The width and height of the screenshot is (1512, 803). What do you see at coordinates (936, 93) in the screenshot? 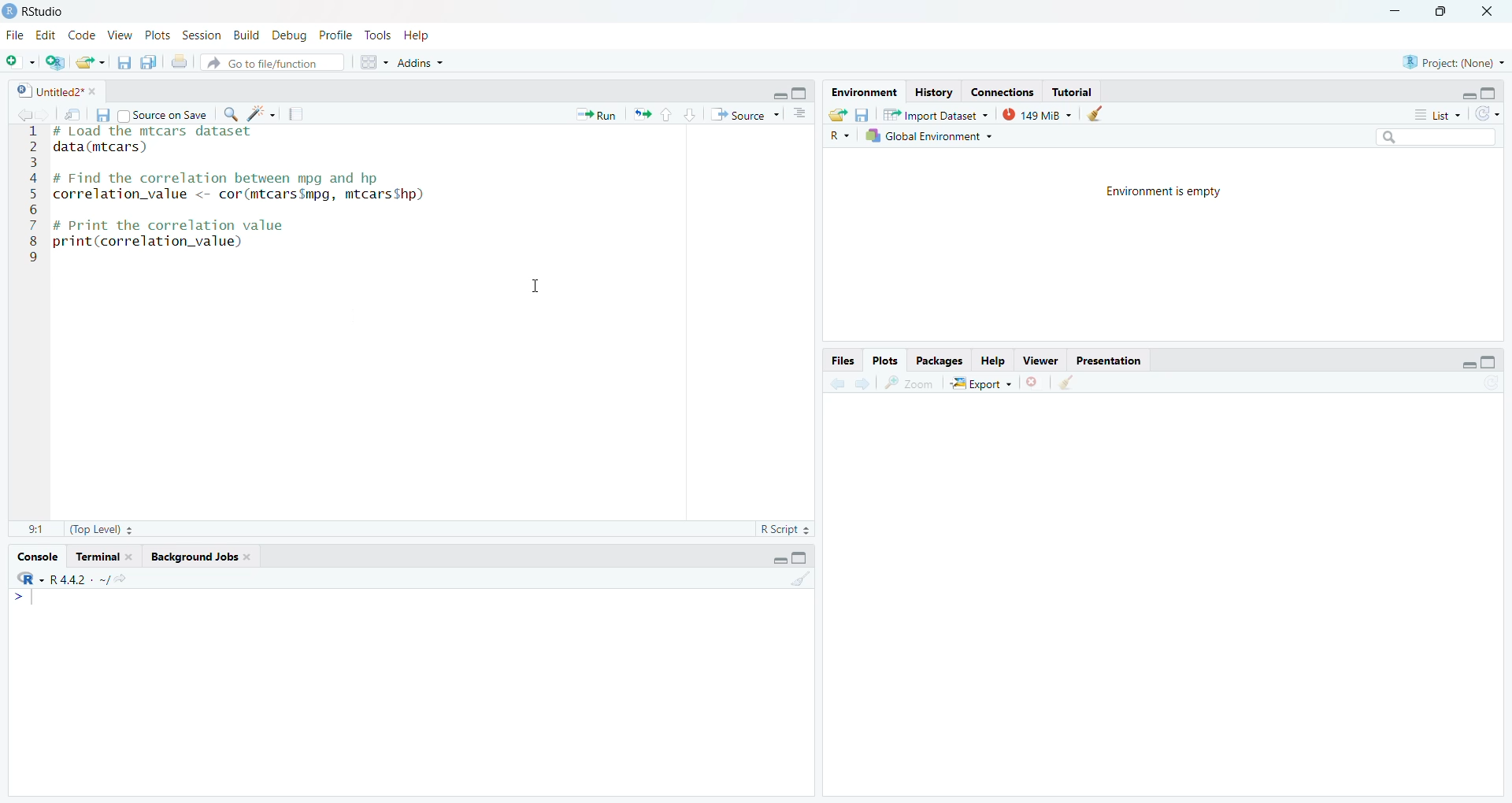
I see `History` at bounding box center [936, 93].